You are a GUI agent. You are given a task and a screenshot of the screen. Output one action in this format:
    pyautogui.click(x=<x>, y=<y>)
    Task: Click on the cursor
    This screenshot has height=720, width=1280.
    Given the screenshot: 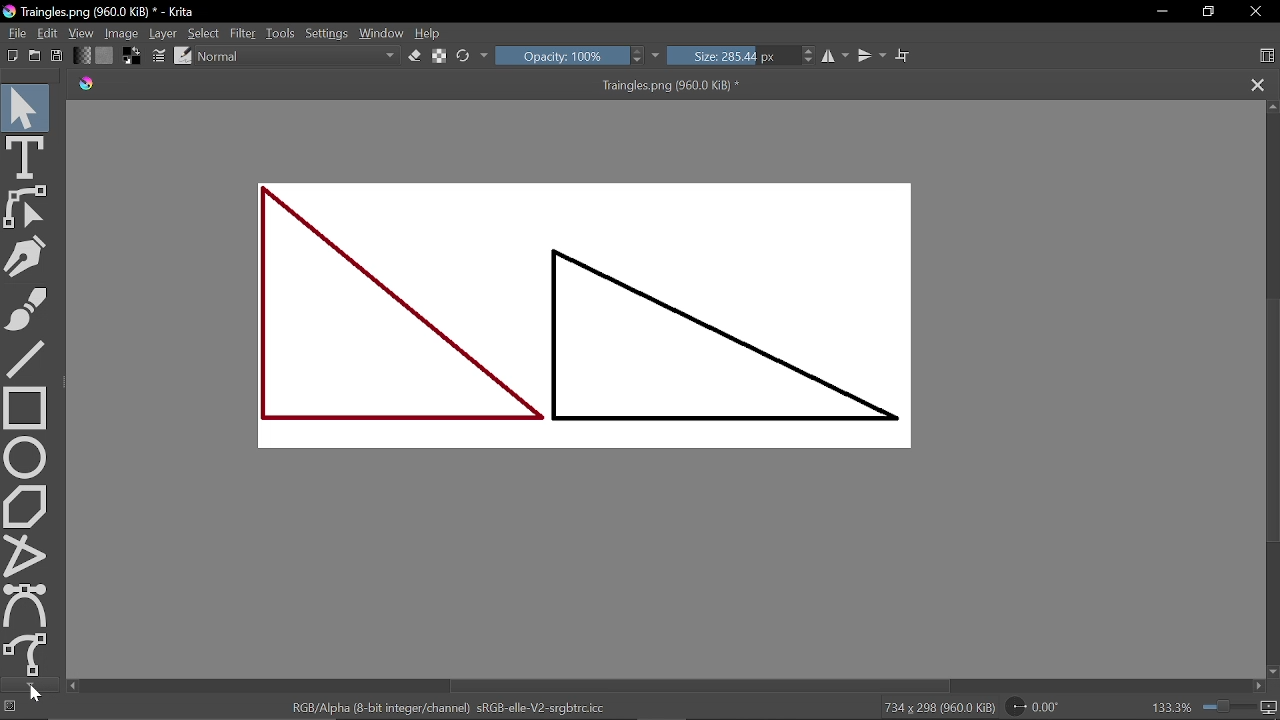 What is the action you would take?
    pyautogui.click(x=37, y=695)
    